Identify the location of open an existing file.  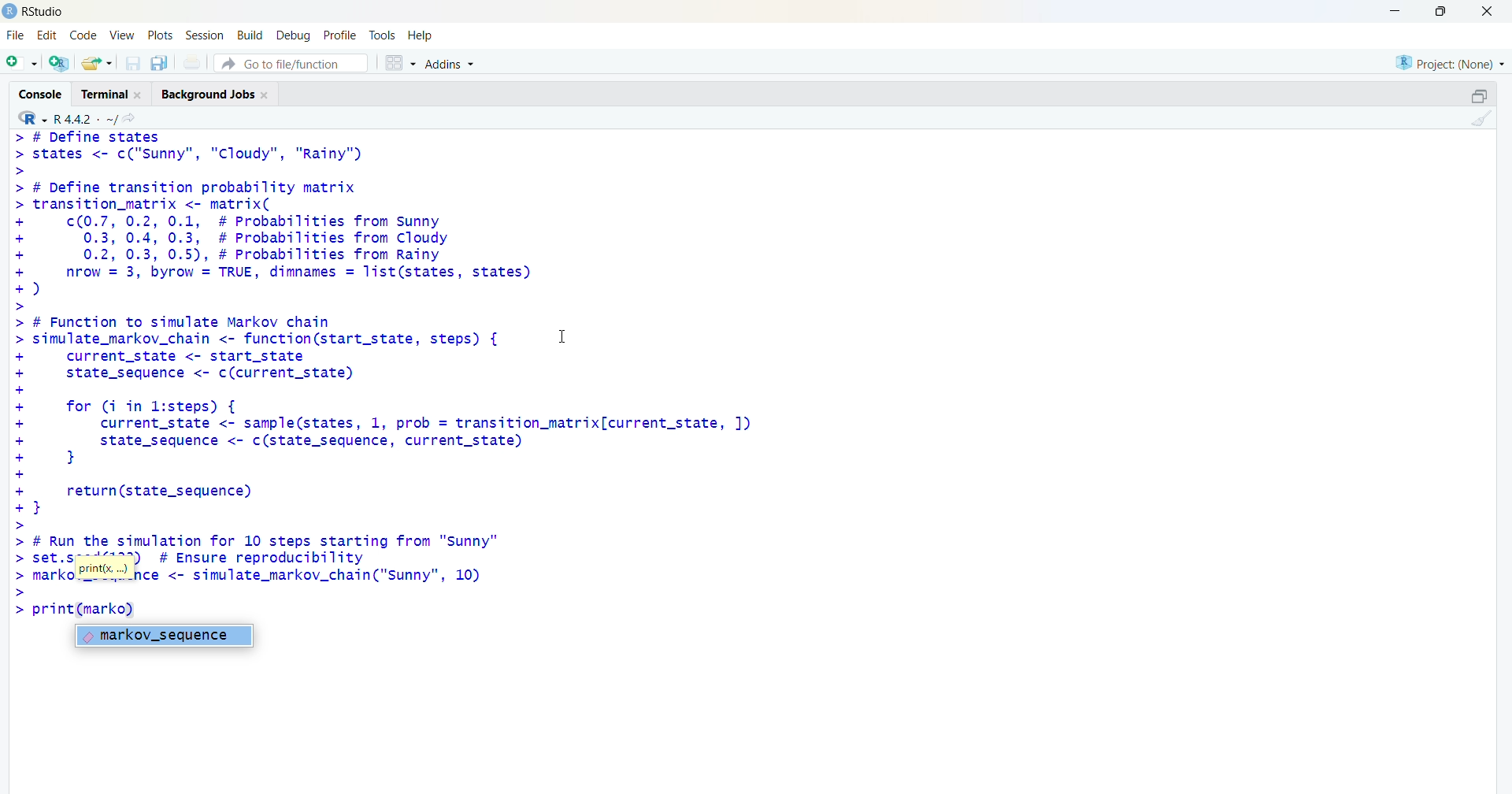
(97, 62).